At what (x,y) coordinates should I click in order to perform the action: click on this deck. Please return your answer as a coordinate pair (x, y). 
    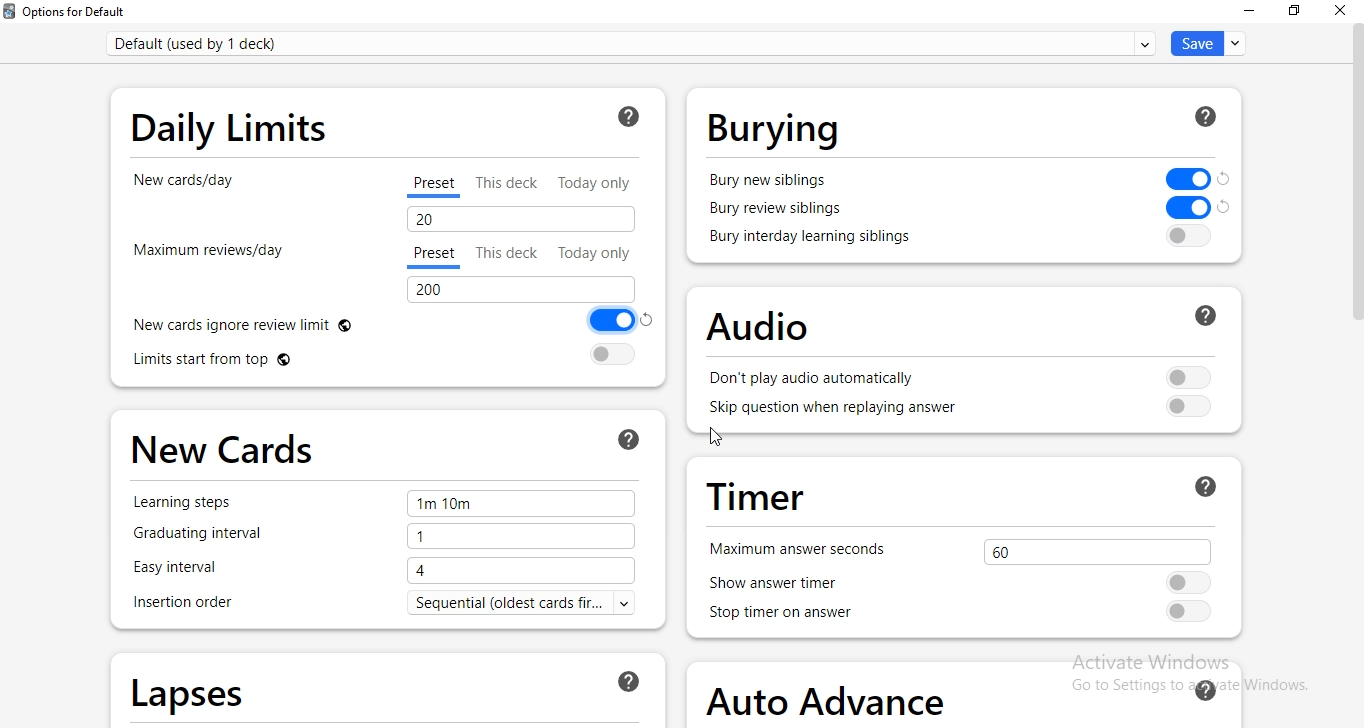
    Looking at the image, I should click on (511, 253).